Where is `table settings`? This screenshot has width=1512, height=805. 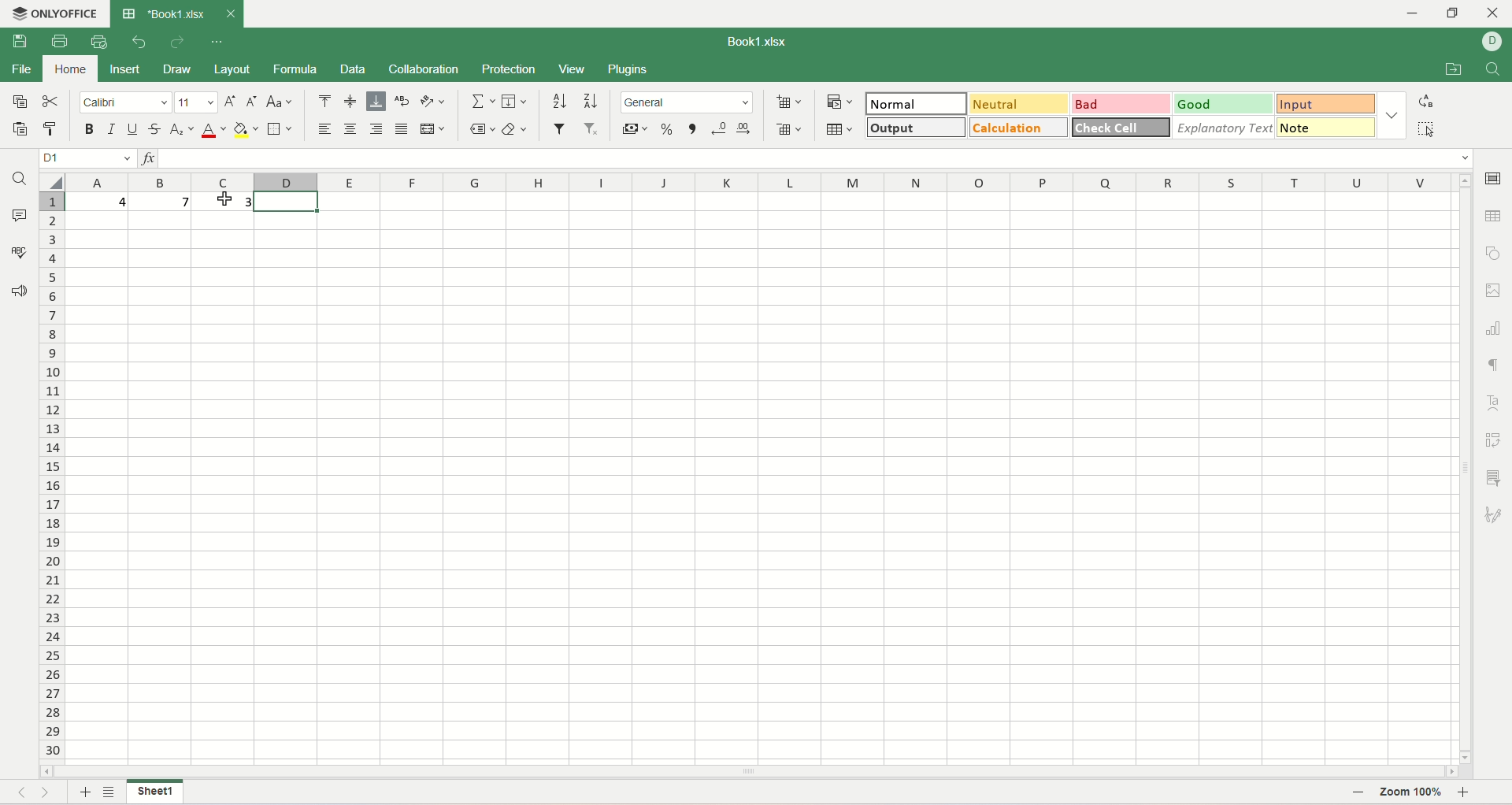 table settings is located at coordinates (1493, 221).